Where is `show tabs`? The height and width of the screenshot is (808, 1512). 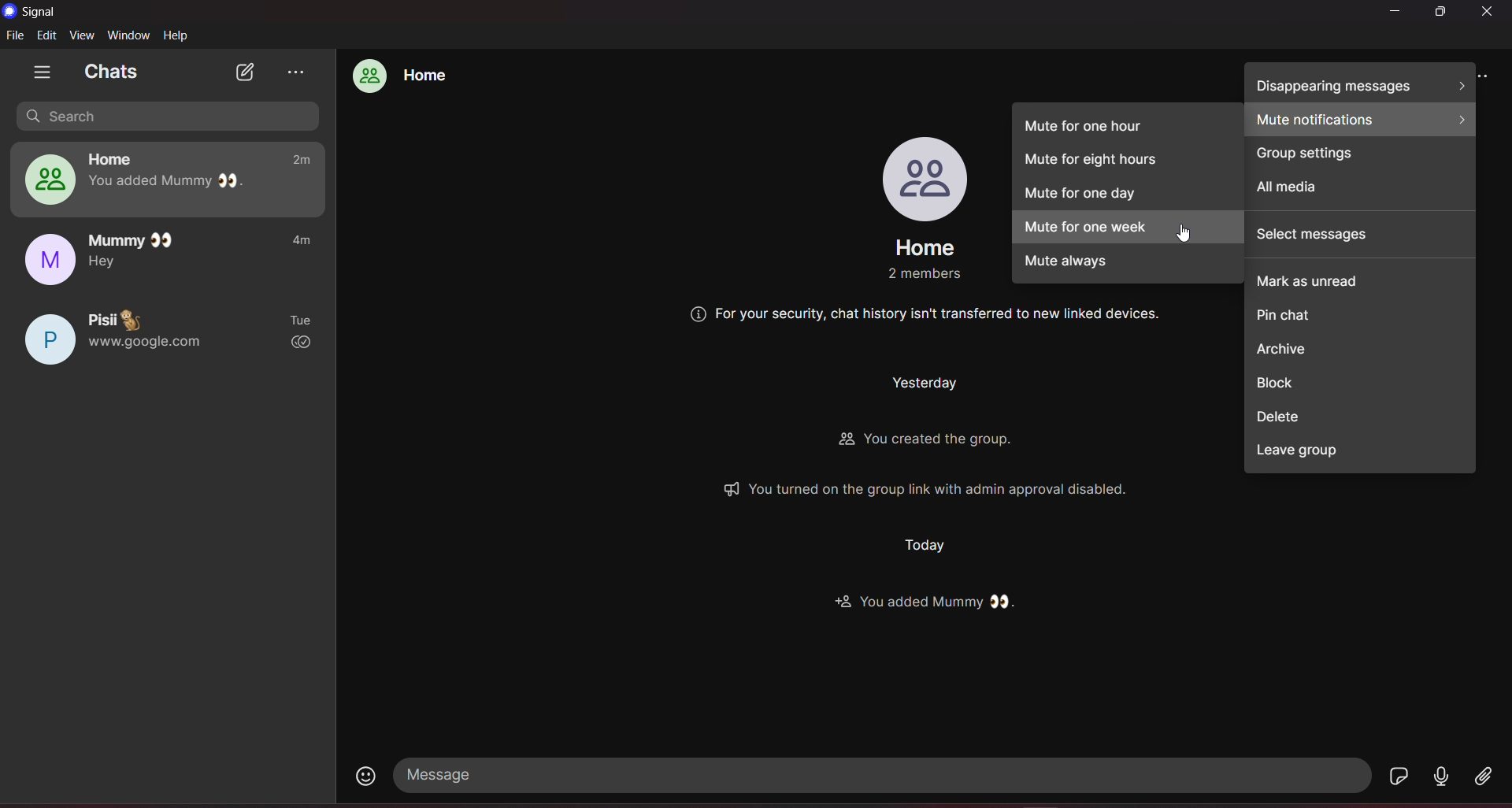 show tabs is located at coordinates (41, 72).